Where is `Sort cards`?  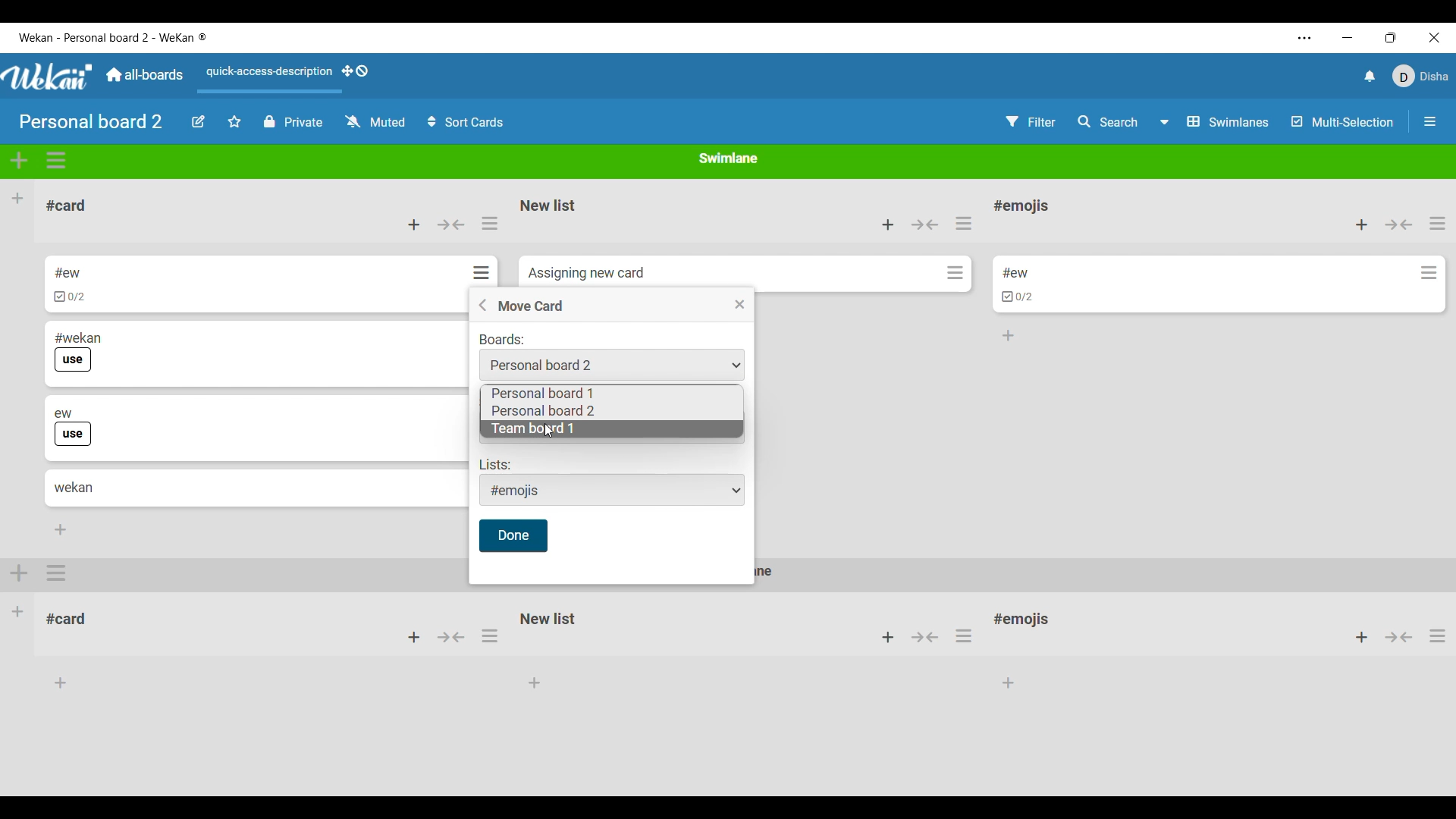 Sort cards is located at coordinates (465, 122).